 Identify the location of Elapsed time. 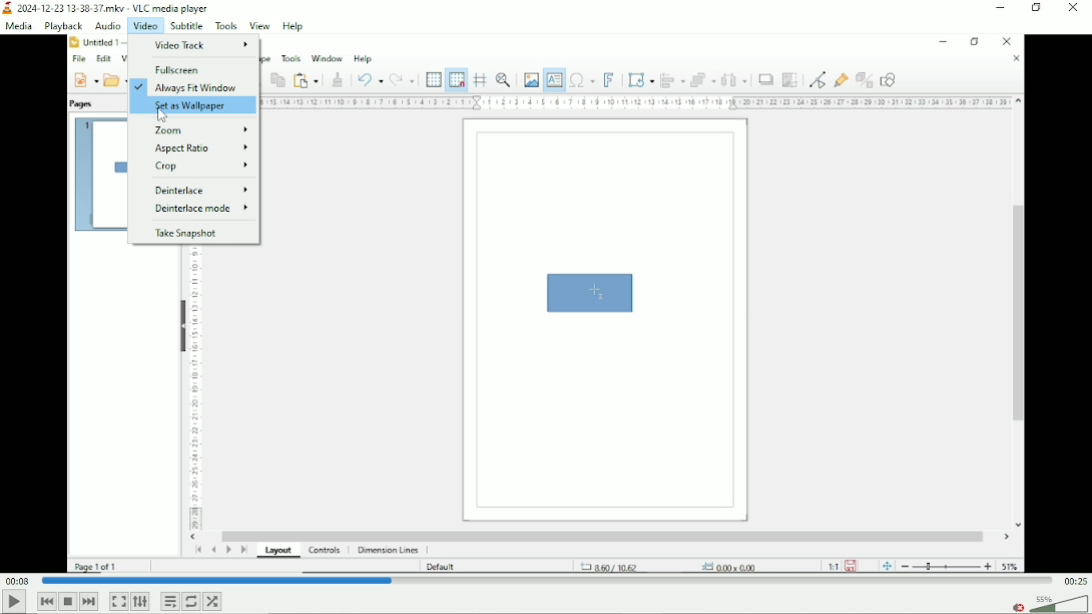
(17, 579).